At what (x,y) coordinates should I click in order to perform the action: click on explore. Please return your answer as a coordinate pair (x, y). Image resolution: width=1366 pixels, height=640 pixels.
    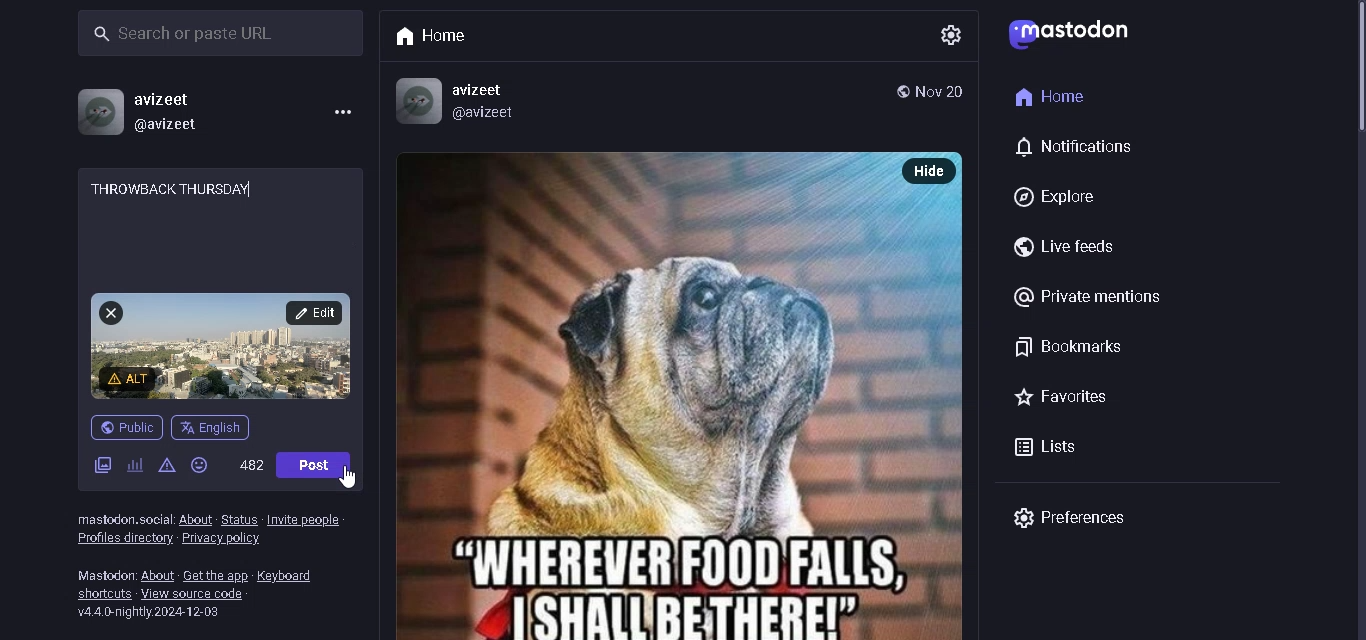
    Looking at the image, I should click on (1063, 193).